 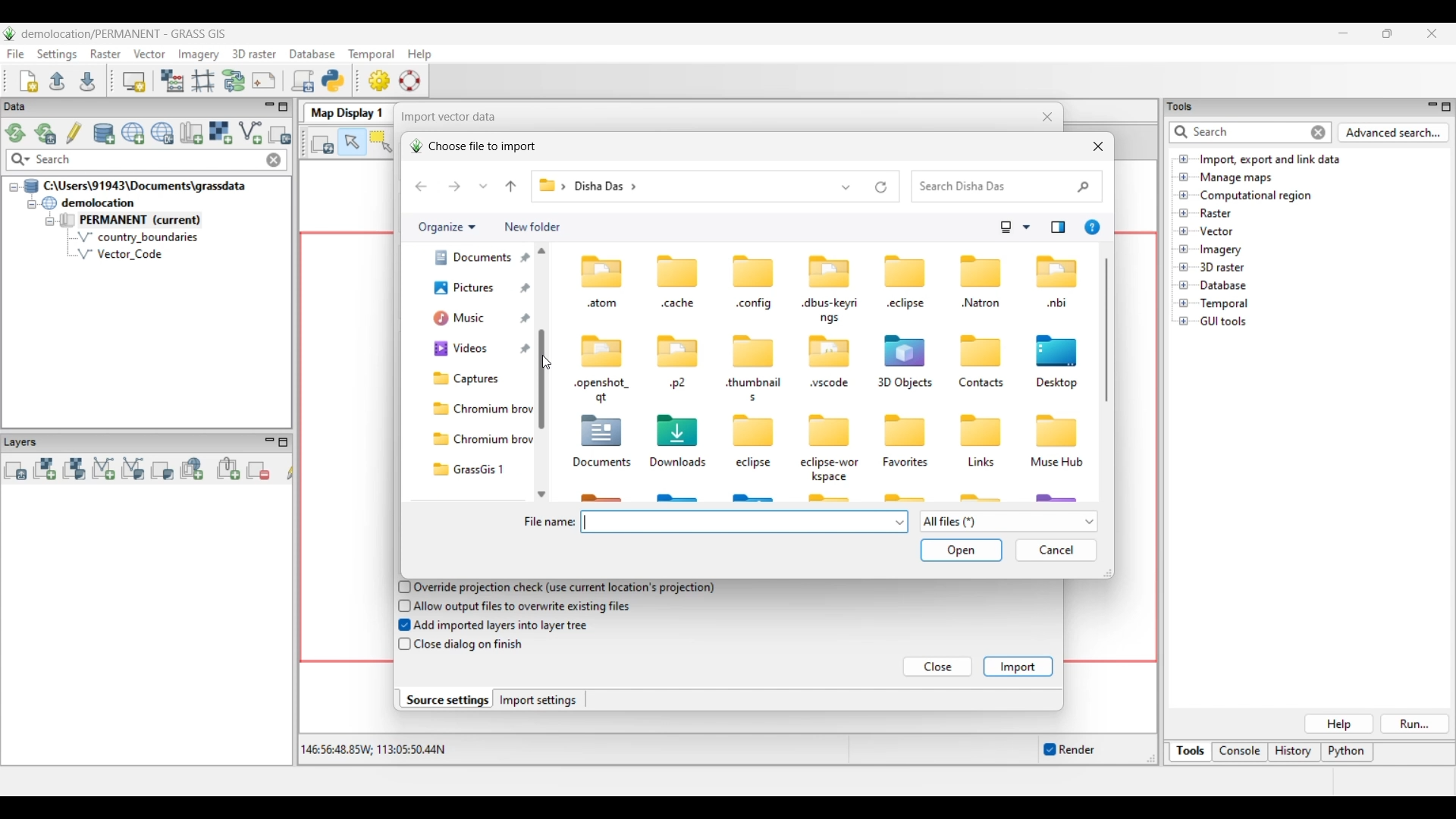 I want to click on Enable/Disable auto-rendering, so click(x=1068, y=750).